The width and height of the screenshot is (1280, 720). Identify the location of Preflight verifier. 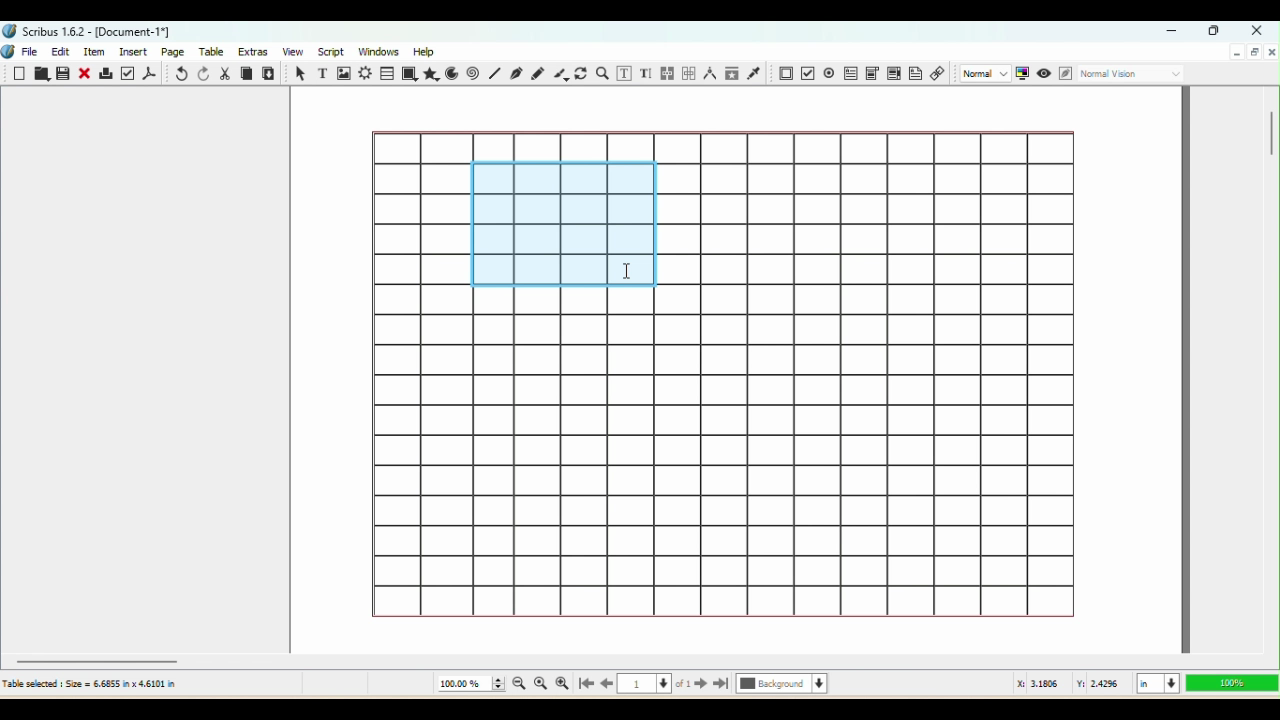
(129, 73).